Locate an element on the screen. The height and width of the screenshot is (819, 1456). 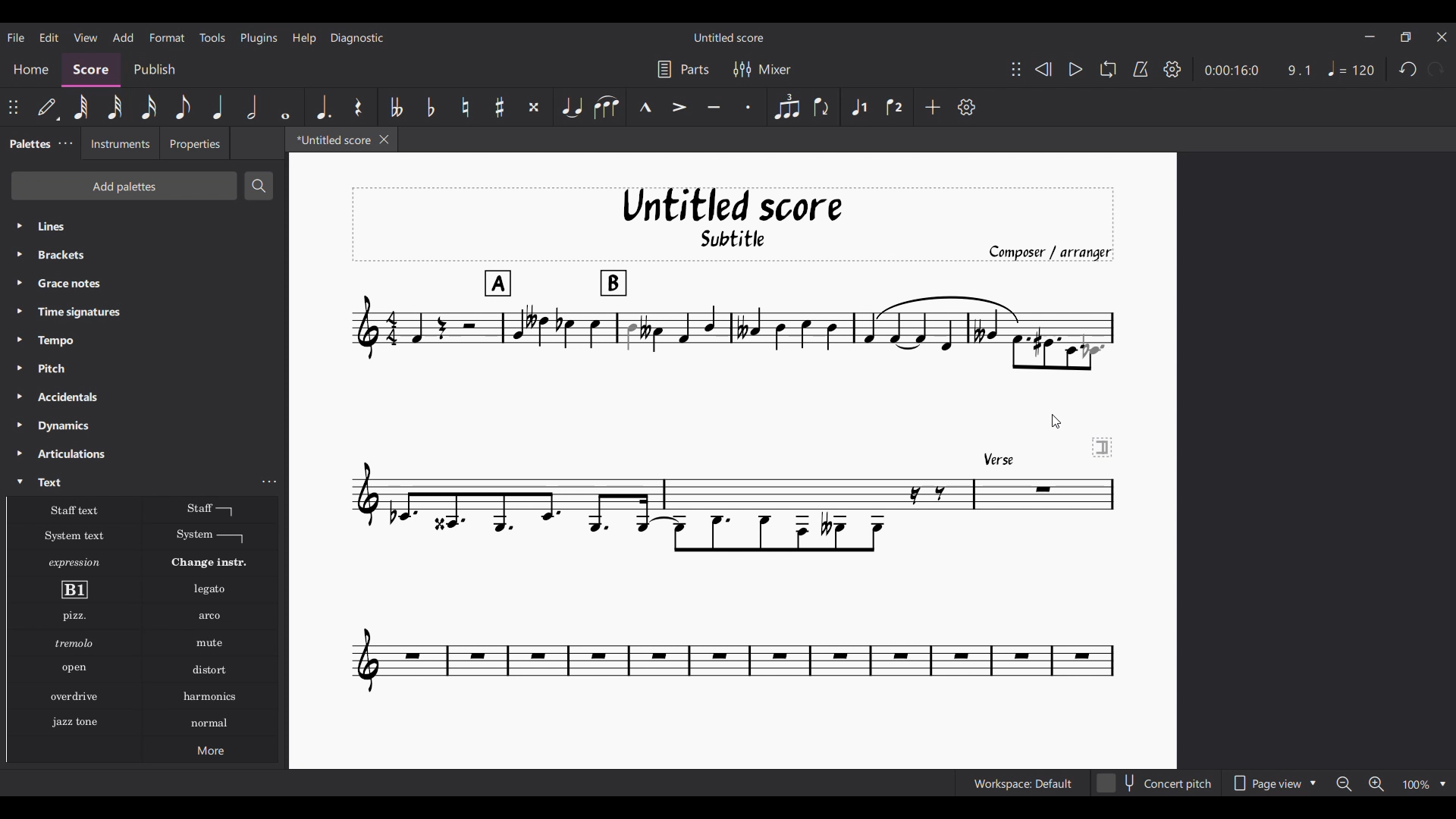
Palettes is located at coordinates (27, 145).